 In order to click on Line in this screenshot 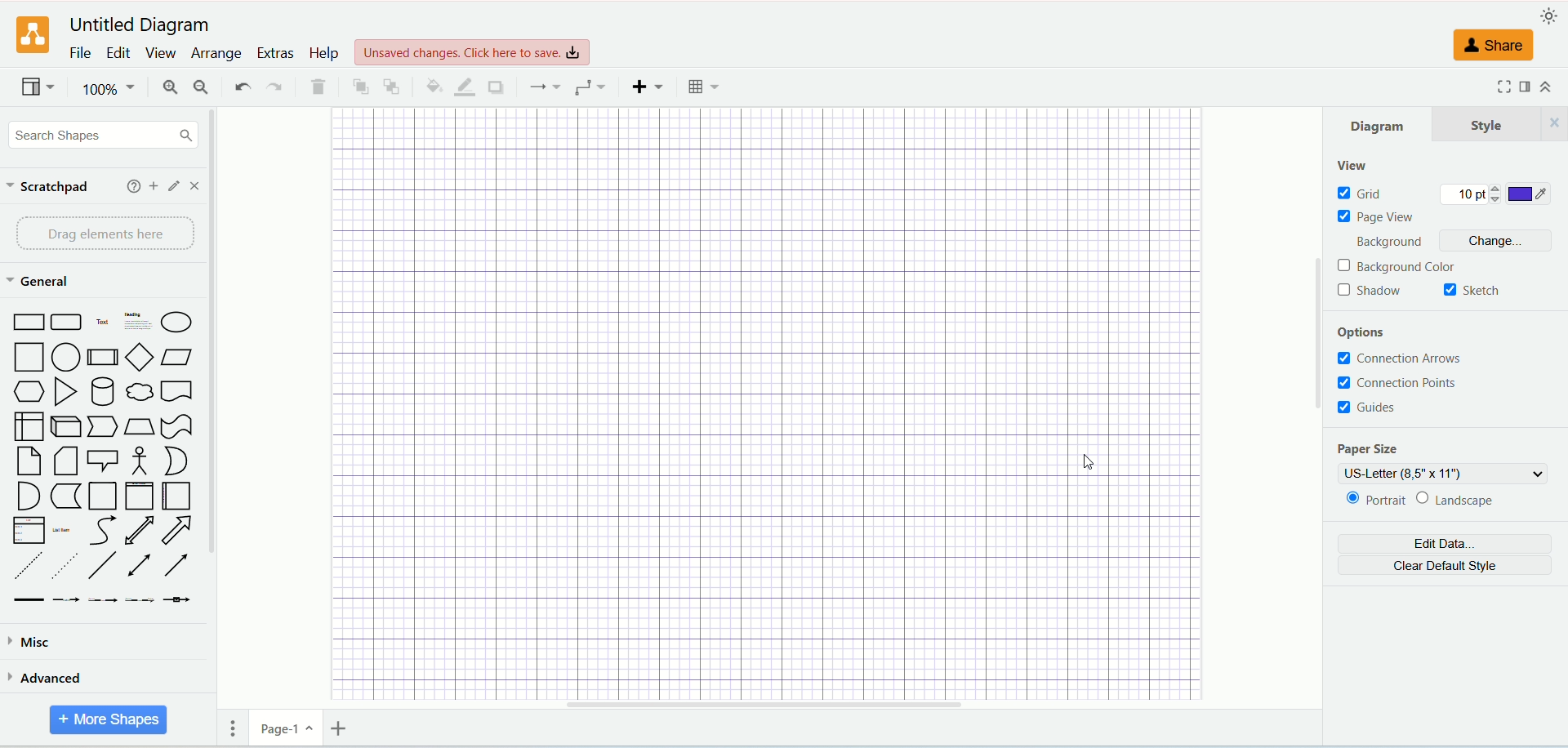, I will do `click(104, 568)`.